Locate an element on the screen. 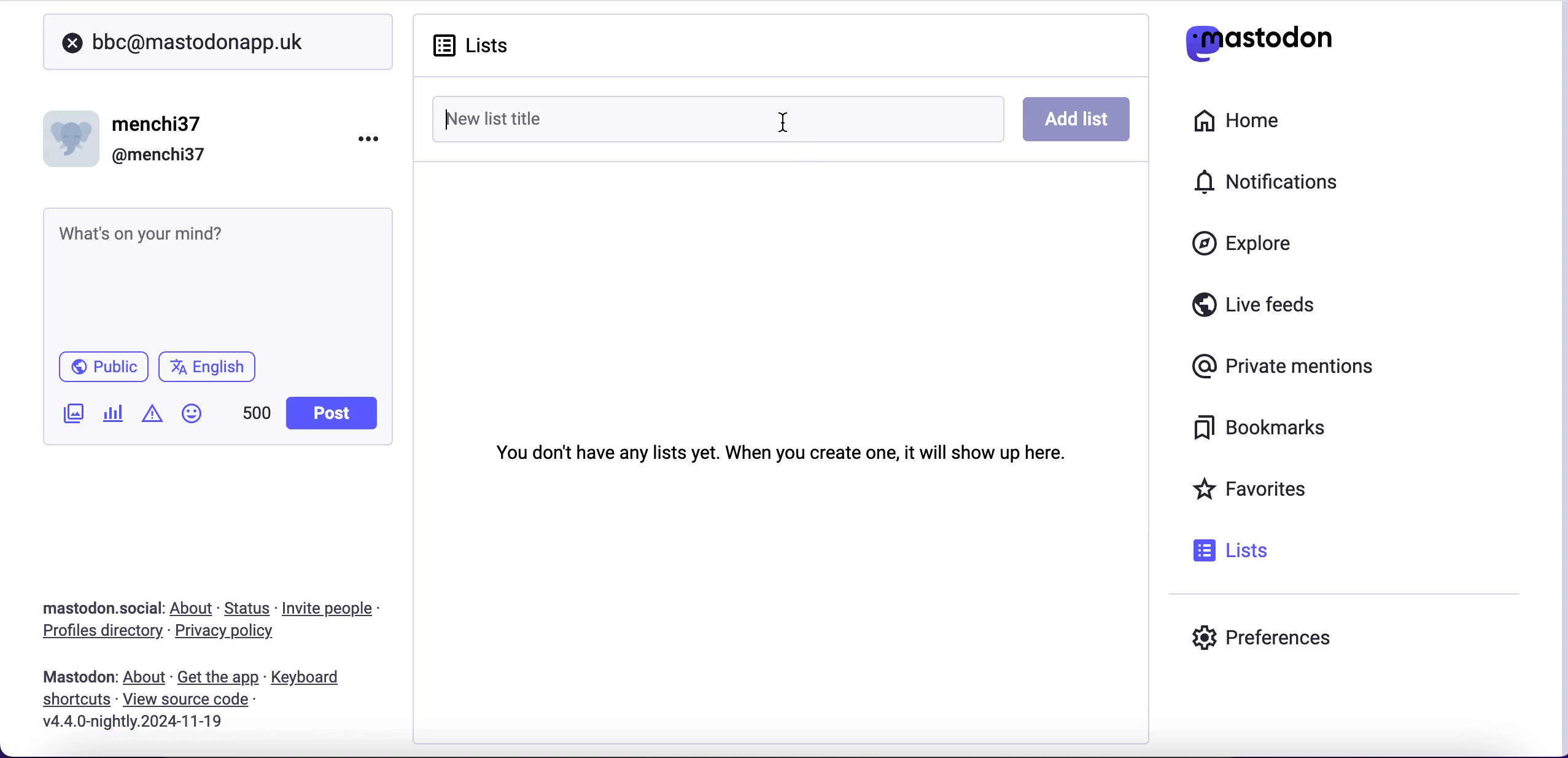 Image resolution: width=1568 pixels, height=758 pixels. lists is located at coordinates (484, 45).